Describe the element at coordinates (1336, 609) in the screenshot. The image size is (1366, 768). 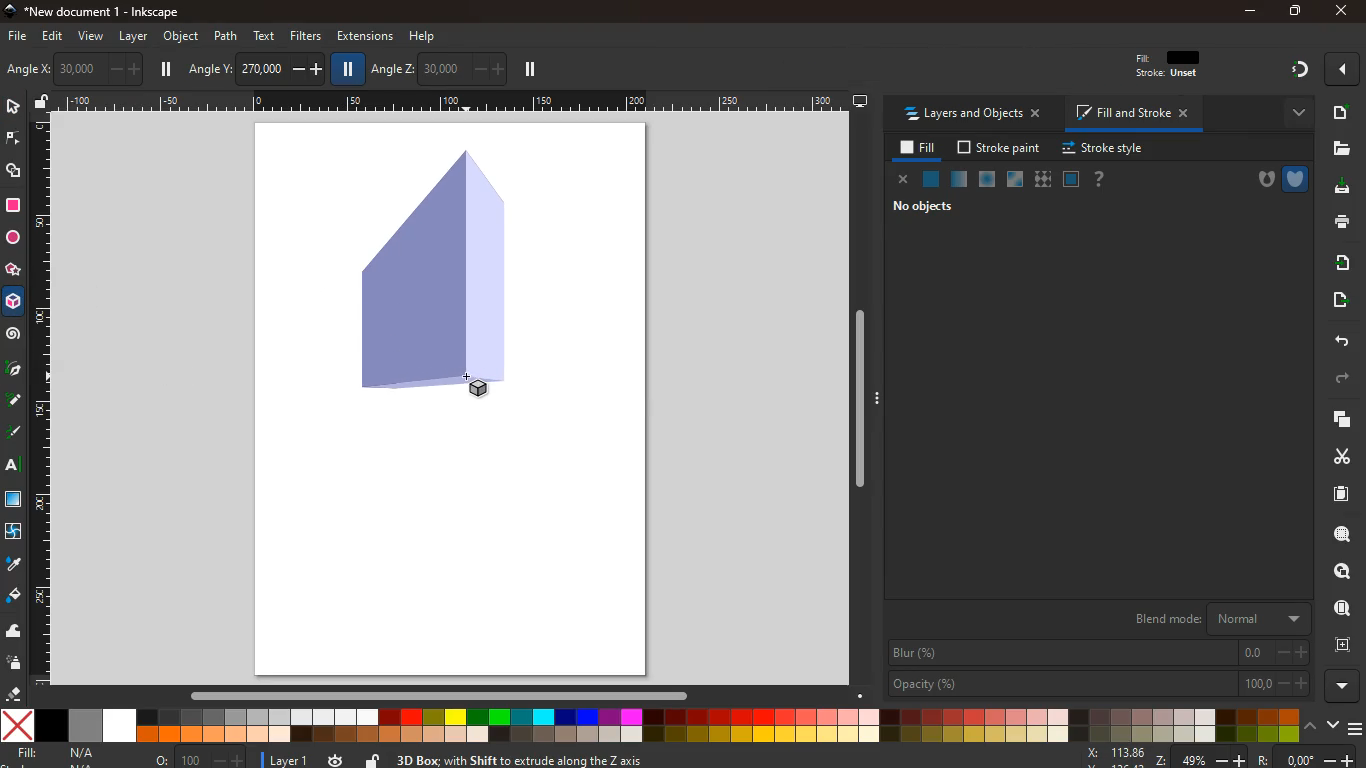
I see `use` at that location.